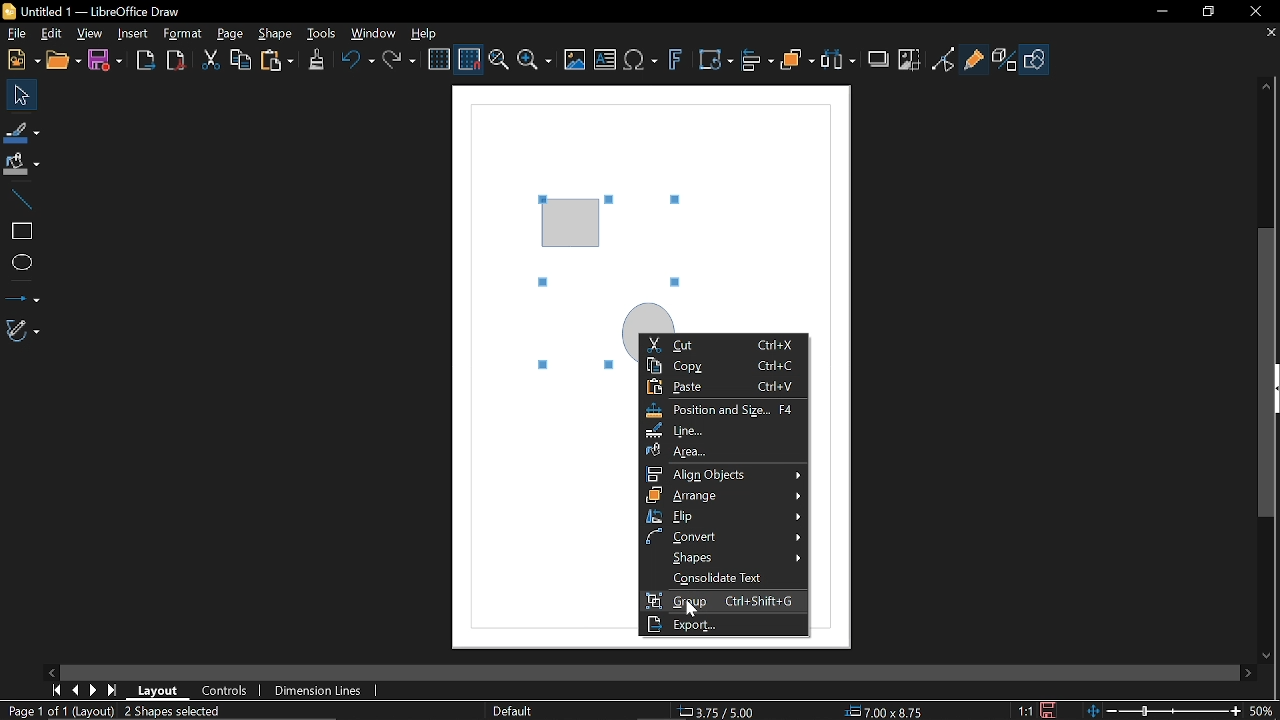 The image size is (1280, 720). Describe the element at coordinates (727, 343) in the screenshot. I see `Cut` at that location.